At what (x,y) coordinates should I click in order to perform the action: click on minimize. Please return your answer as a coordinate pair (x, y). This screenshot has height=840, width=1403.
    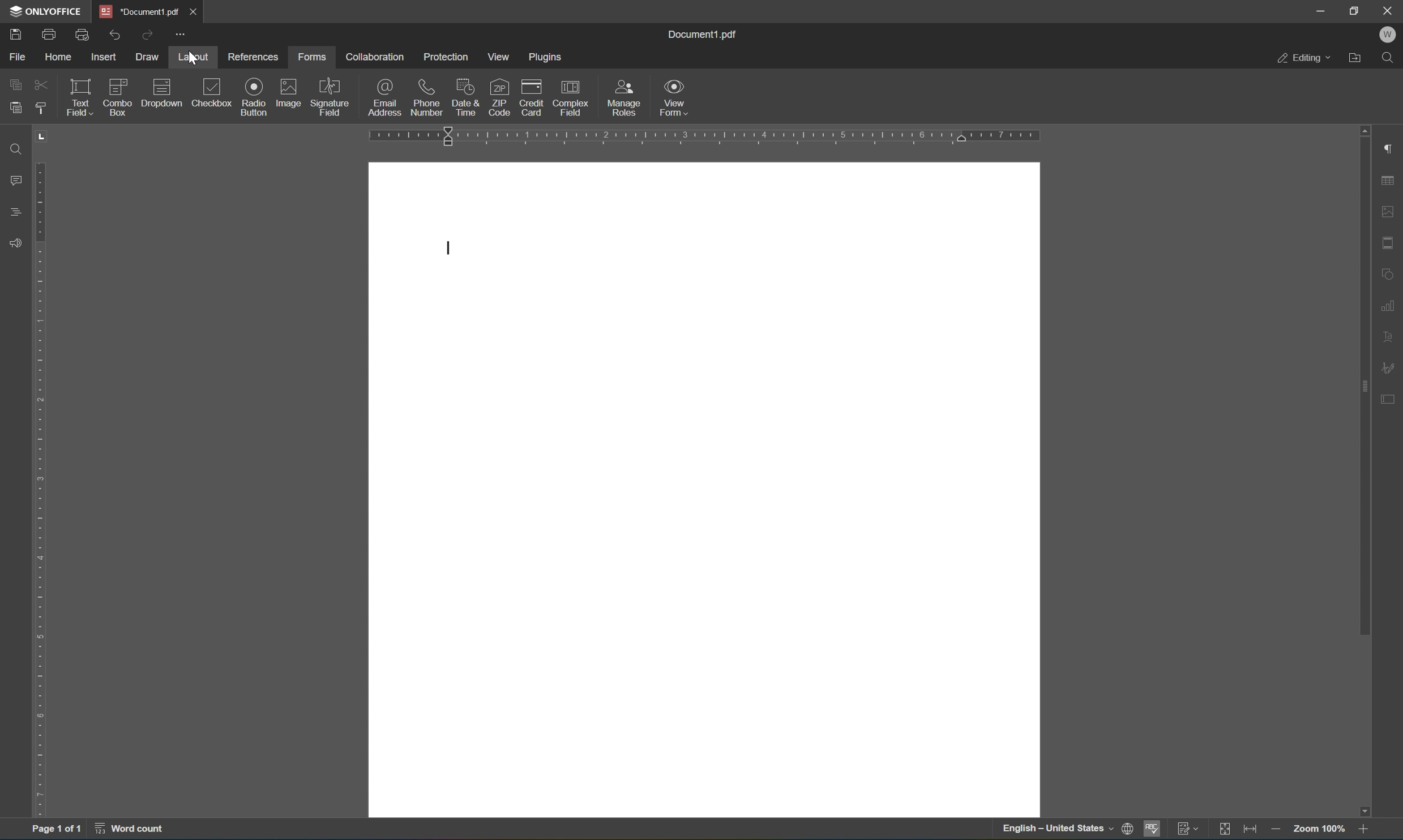
    Looking at the image, I should click on (1323, 11).